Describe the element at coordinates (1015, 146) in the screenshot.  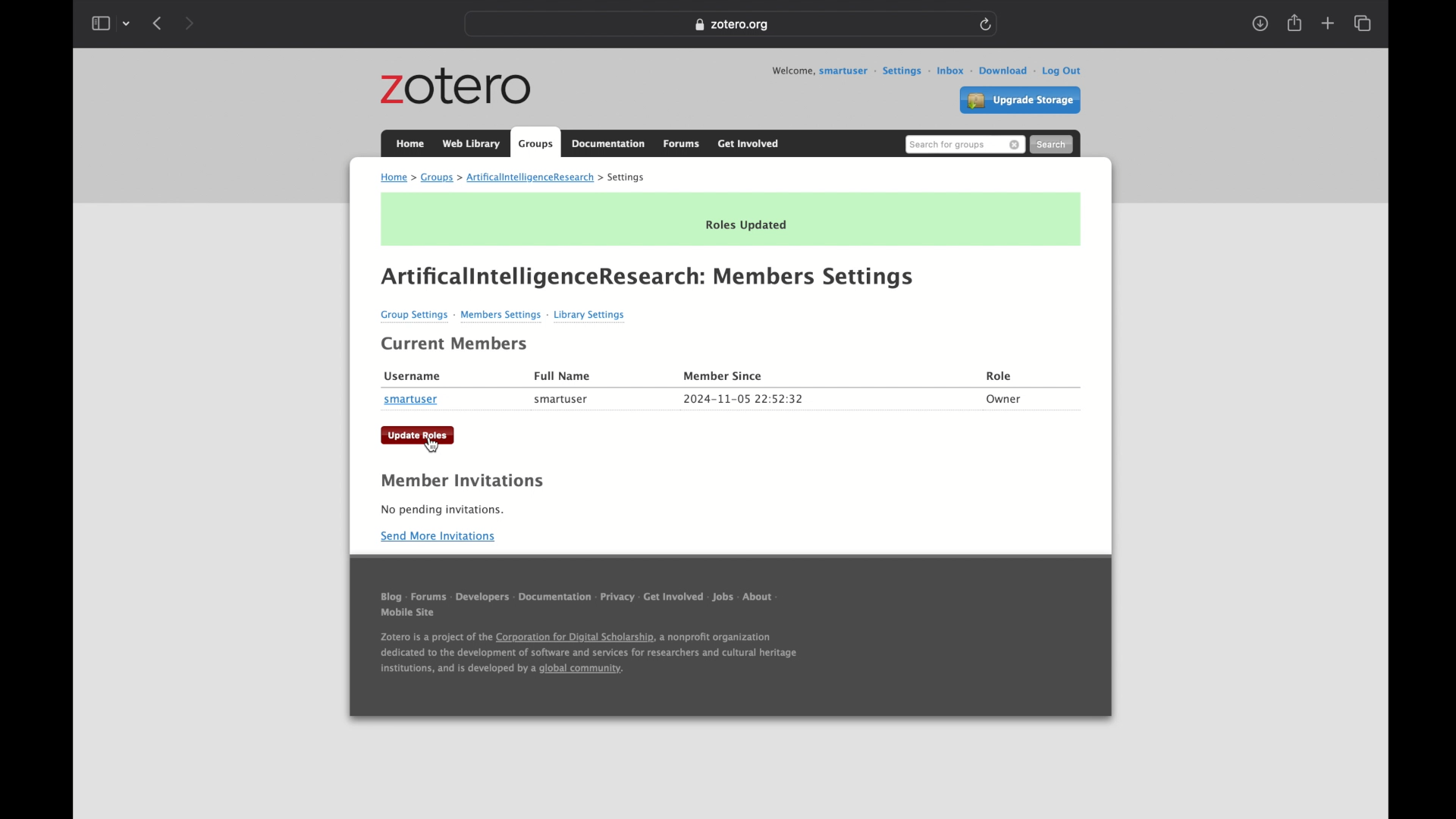
I see `remove` at that location.